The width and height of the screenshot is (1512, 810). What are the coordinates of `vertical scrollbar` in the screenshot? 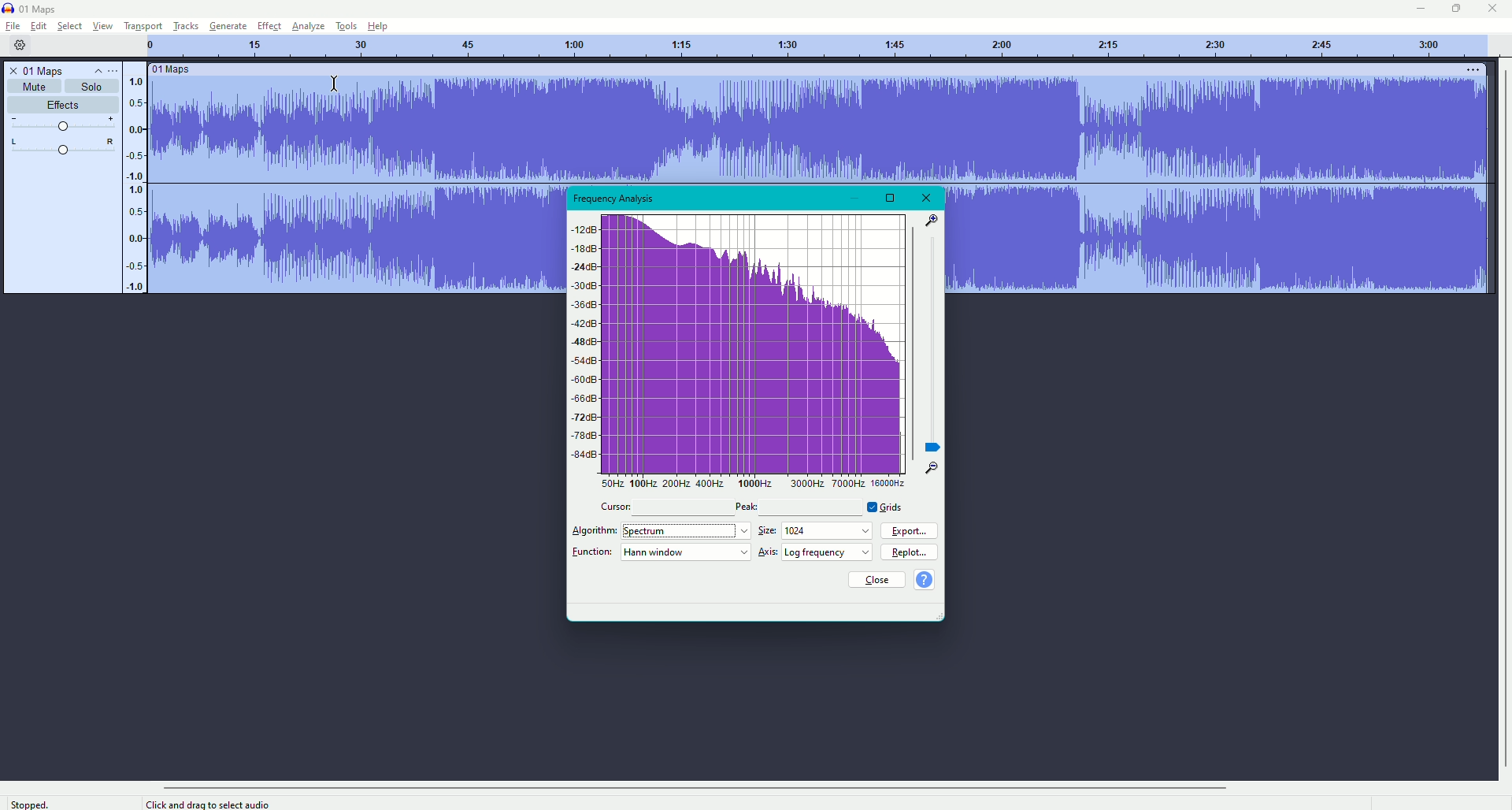 It's located at (1505, 418).